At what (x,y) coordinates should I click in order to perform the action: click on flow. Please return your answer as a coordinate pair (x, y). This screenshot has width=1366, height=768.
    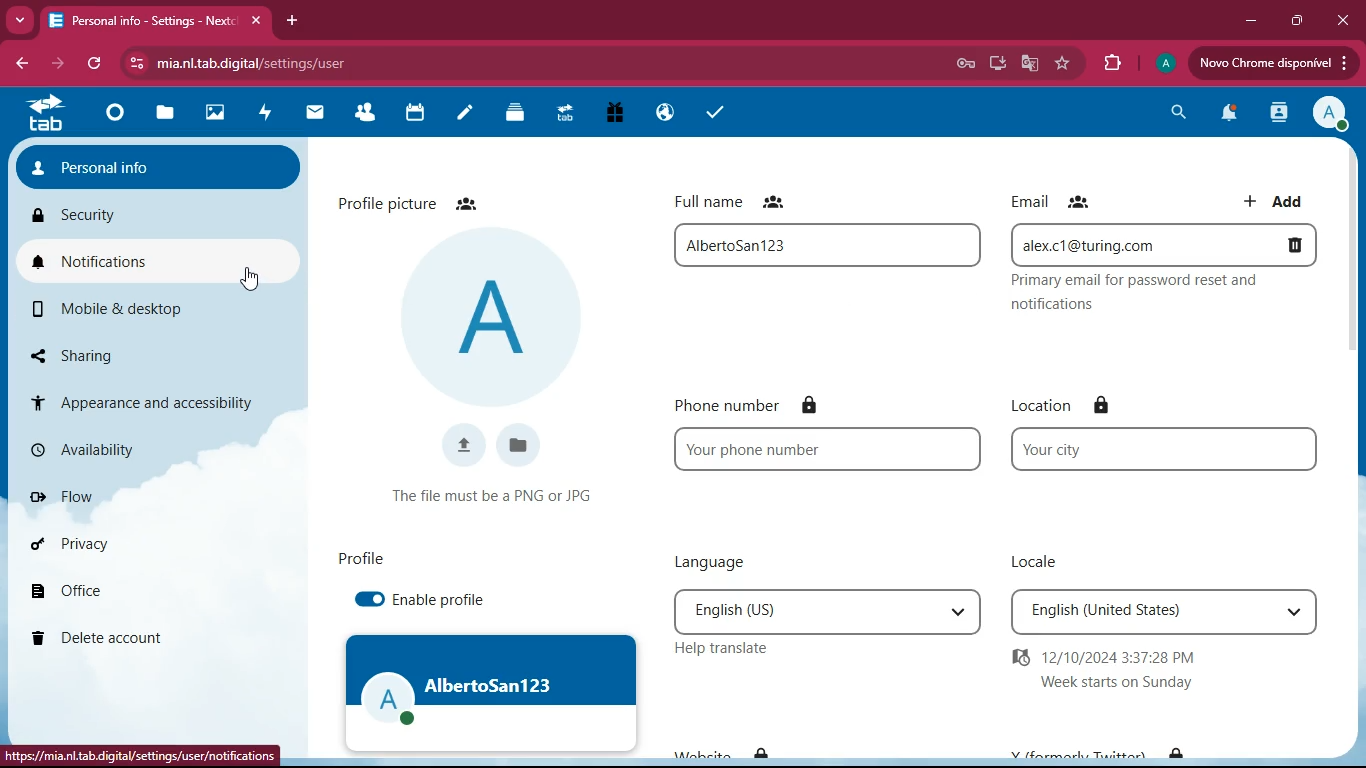
    Looking at the image, I should click on (137, 493).